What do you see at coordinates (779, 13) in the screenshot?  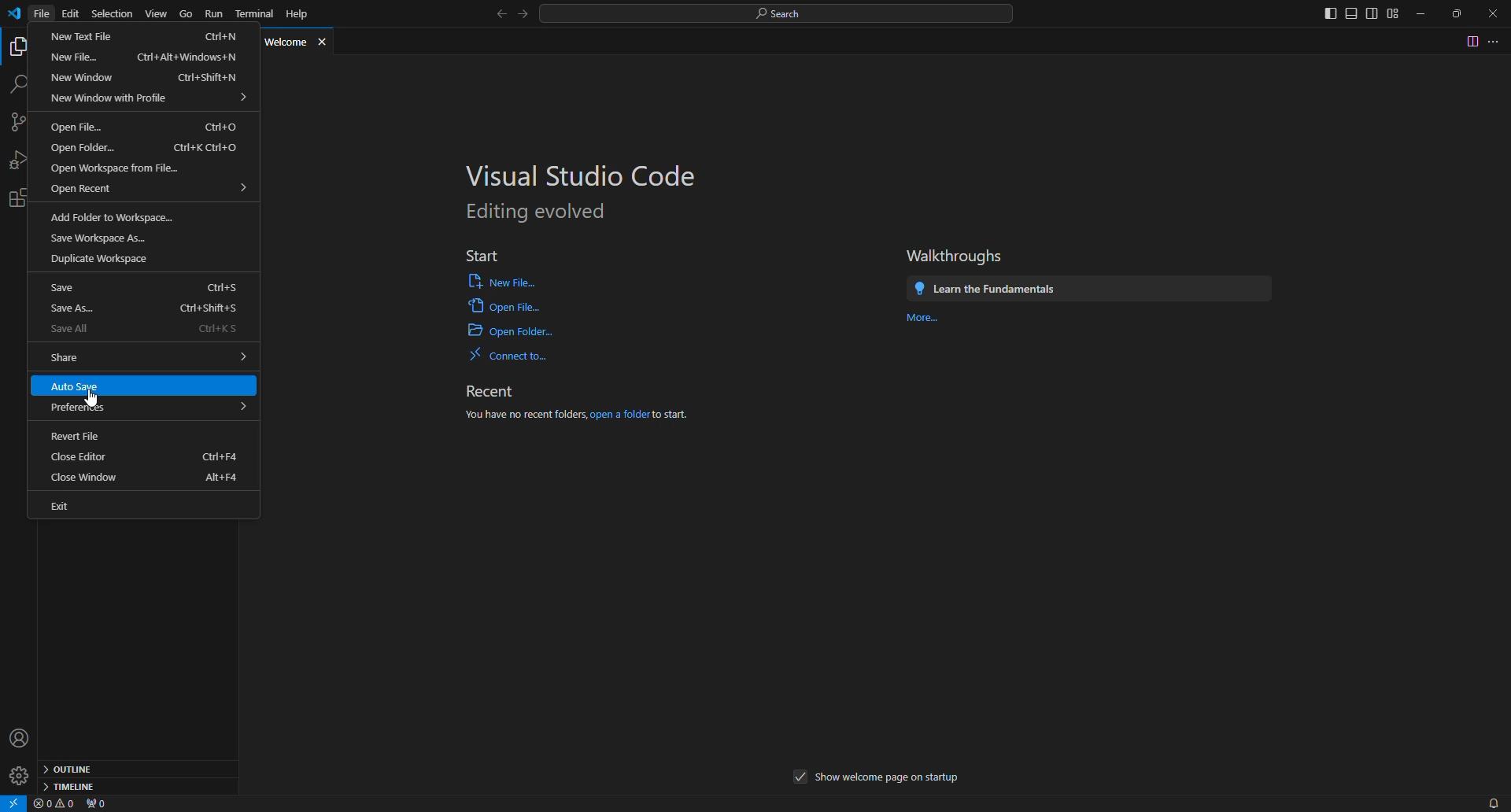 I see `search` at bounding box center [779, 13].